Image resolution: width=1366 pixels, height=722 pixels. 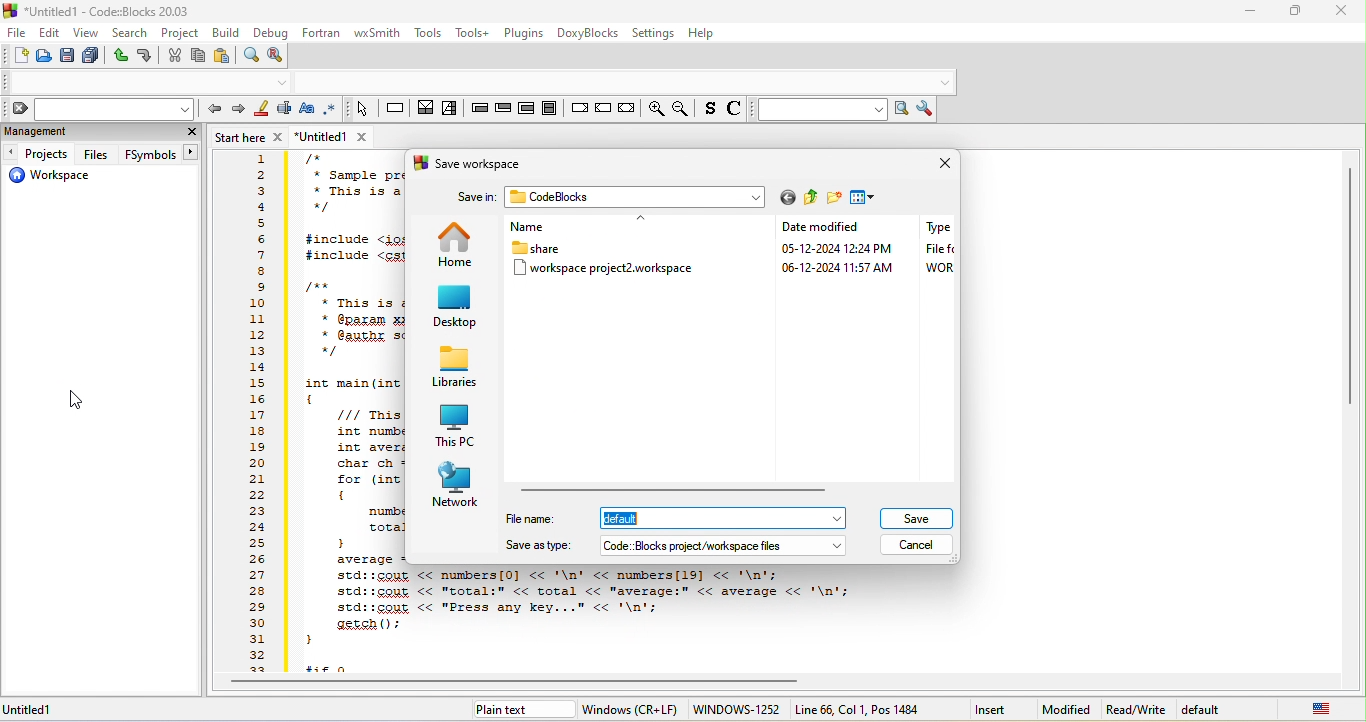 I want to click on horizontal scroll bar, so click(x=680, y=489).